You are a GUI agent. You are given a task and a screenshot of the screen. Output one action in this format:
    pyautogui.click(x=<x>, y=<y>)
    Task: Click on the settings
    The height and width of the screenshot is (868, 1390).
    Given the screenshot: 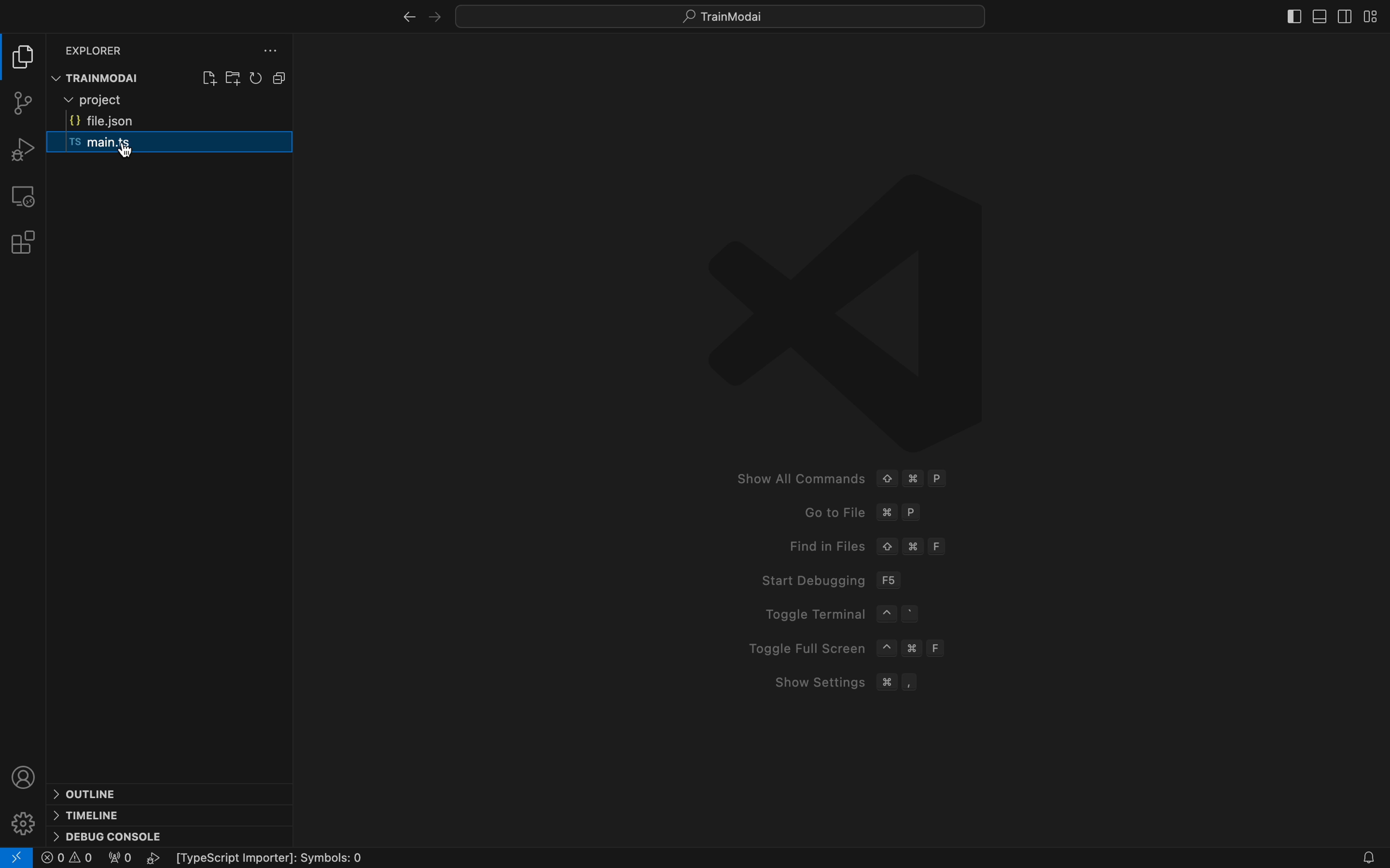 What is the action you would take?
    pyautogui.click(x=22, y=826)
    